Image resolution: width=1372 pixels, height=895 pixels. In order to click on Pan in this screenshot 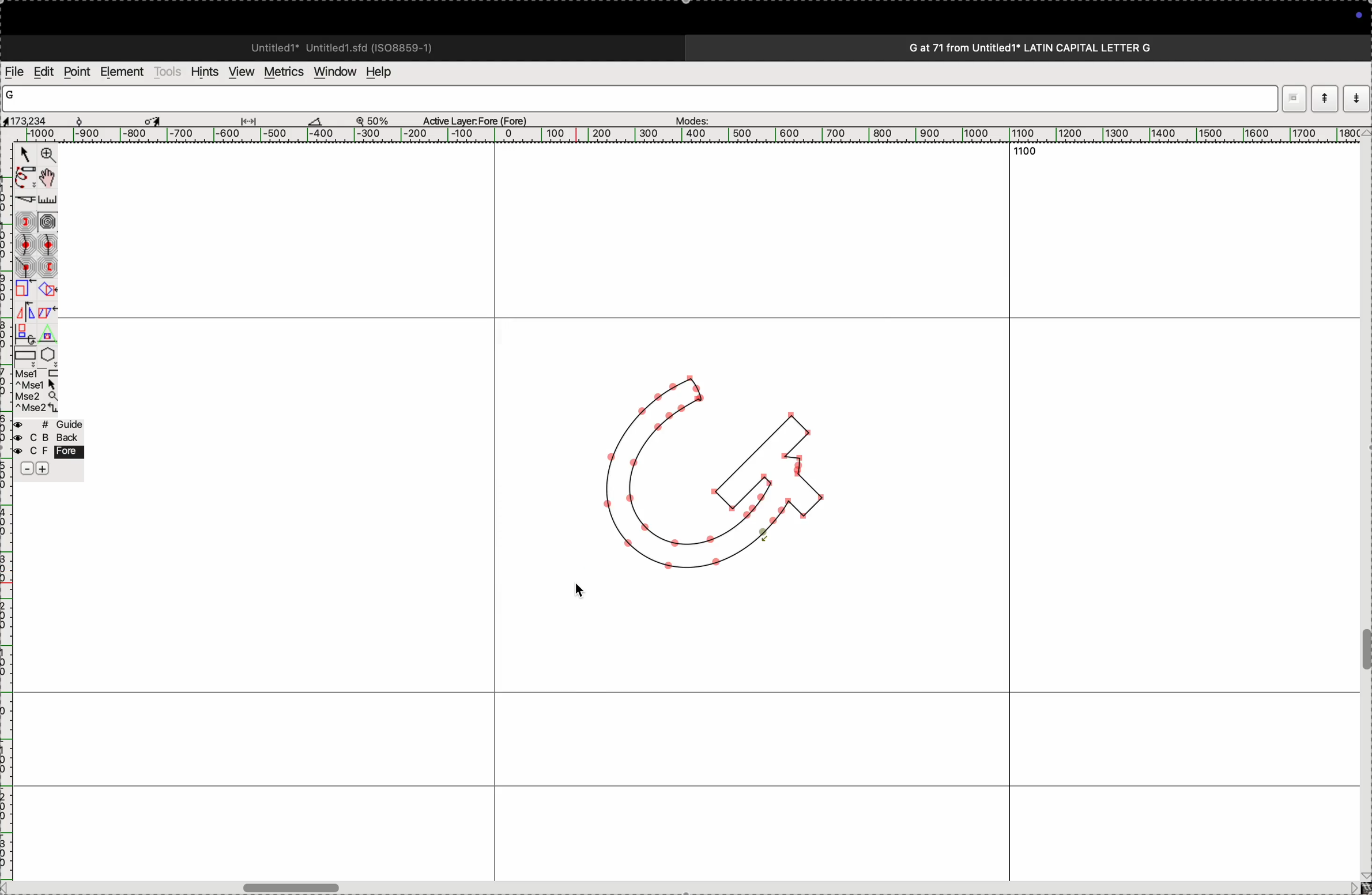, I will do `click(47, 179)`.